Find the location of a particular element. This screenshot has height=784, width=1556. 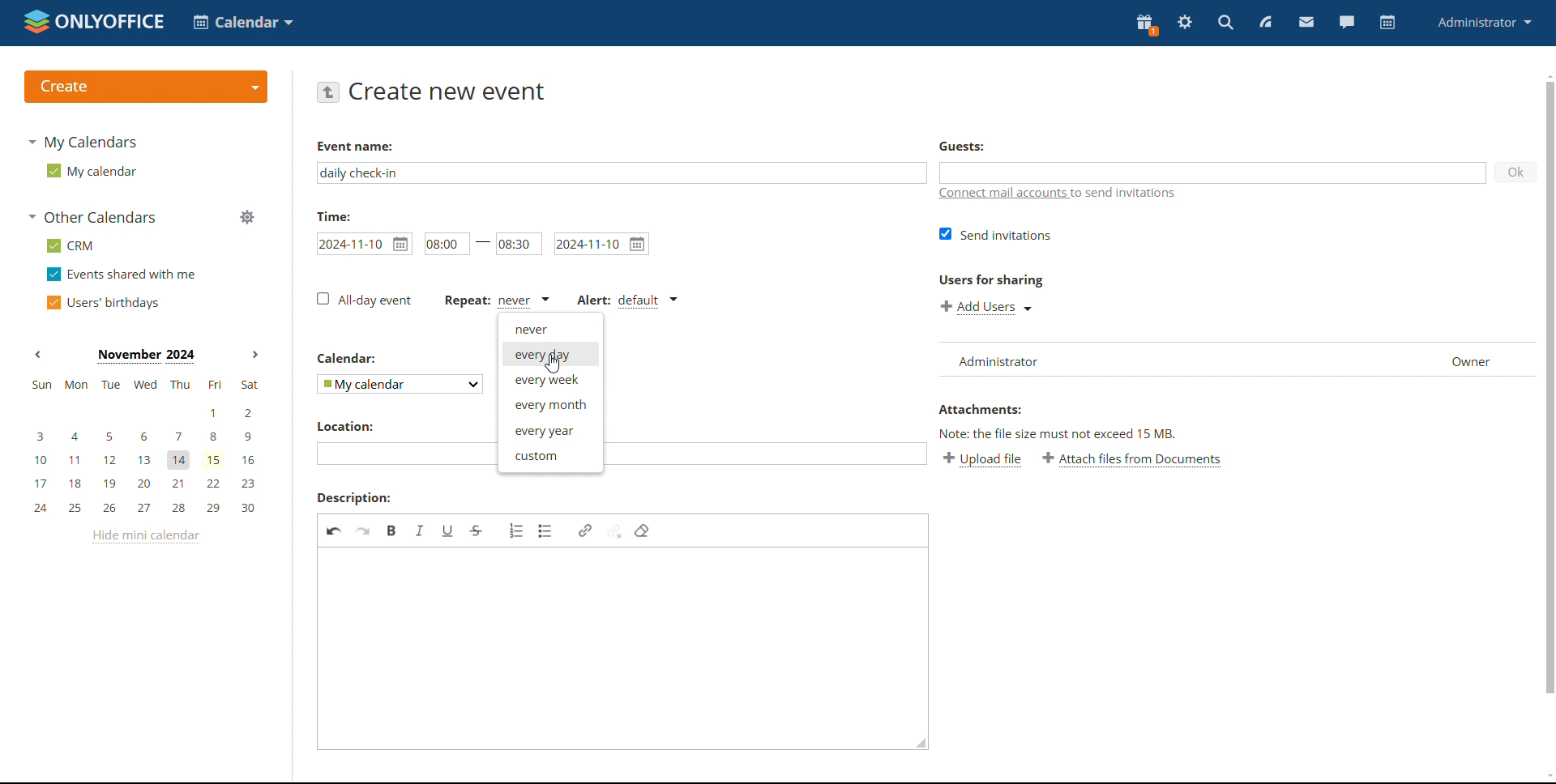

owner is located at coordinates (1472, 360).